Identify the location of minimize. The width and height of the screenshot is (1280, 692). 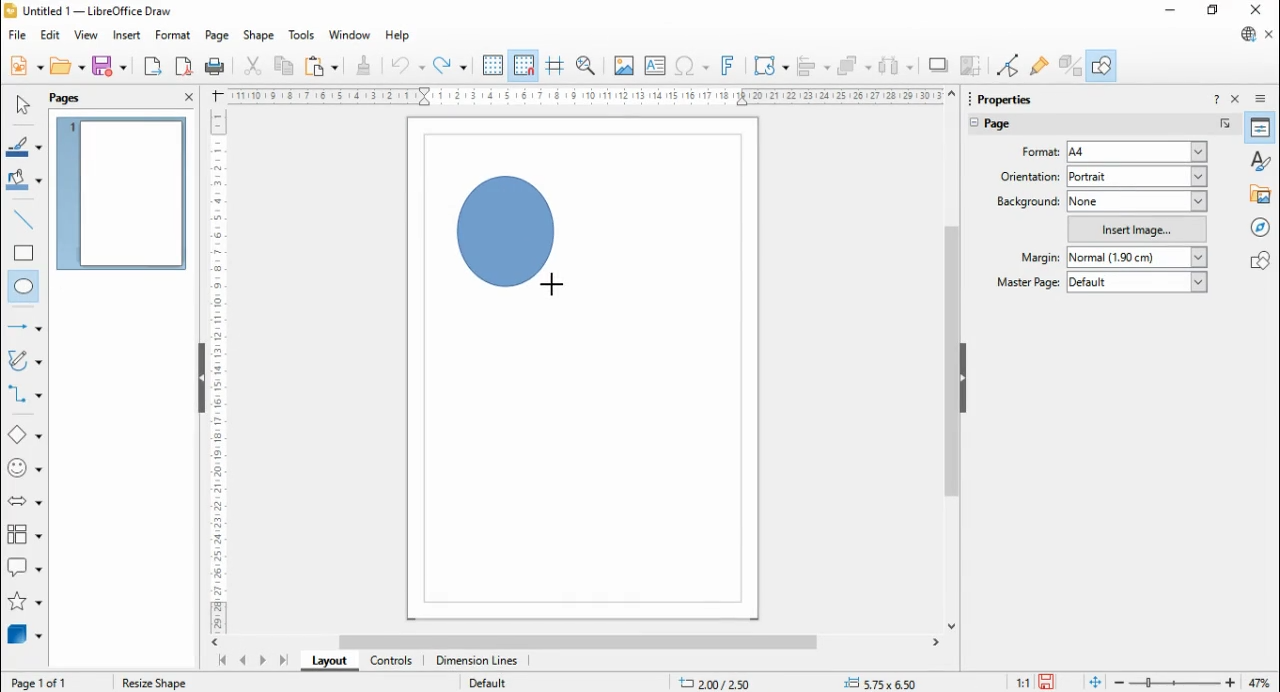
(1172, 10).